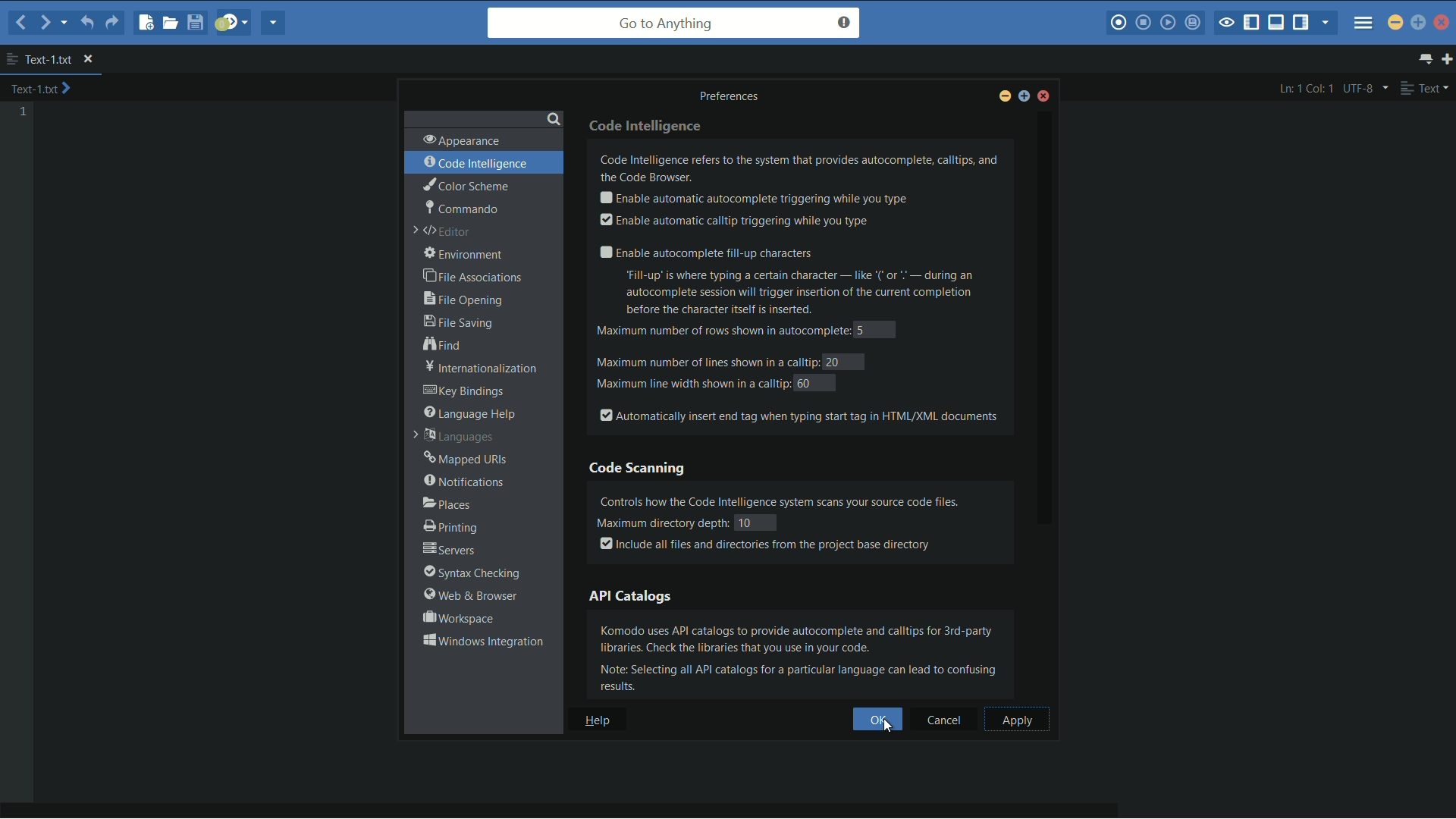  What do you see at coordinates (450, 551) in the screenshot?
I see `servers` at bounding box center [450, 551].